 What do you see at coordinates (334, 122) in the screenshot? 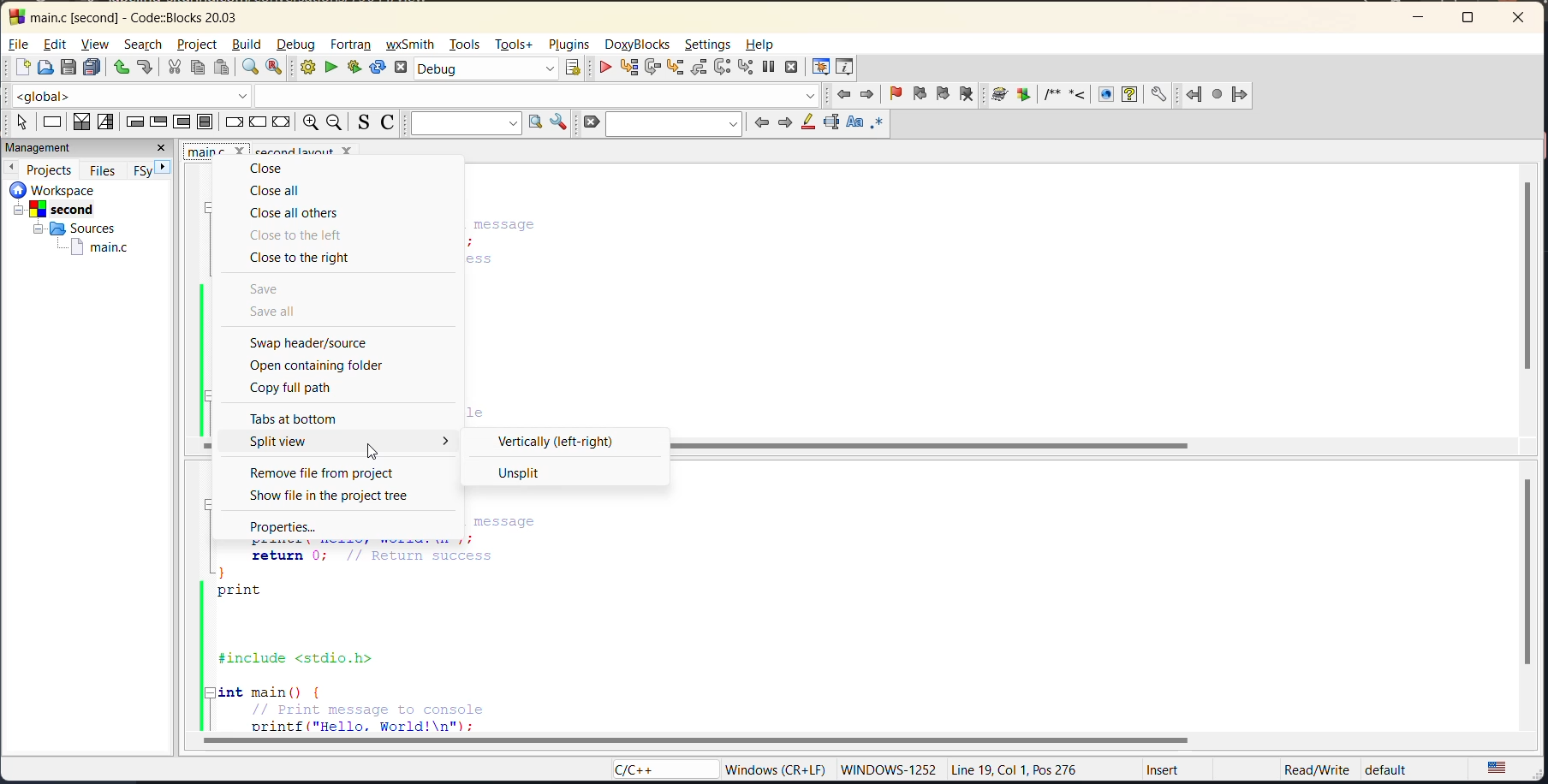
I see `zoom out` at bounding box center [334, 122].